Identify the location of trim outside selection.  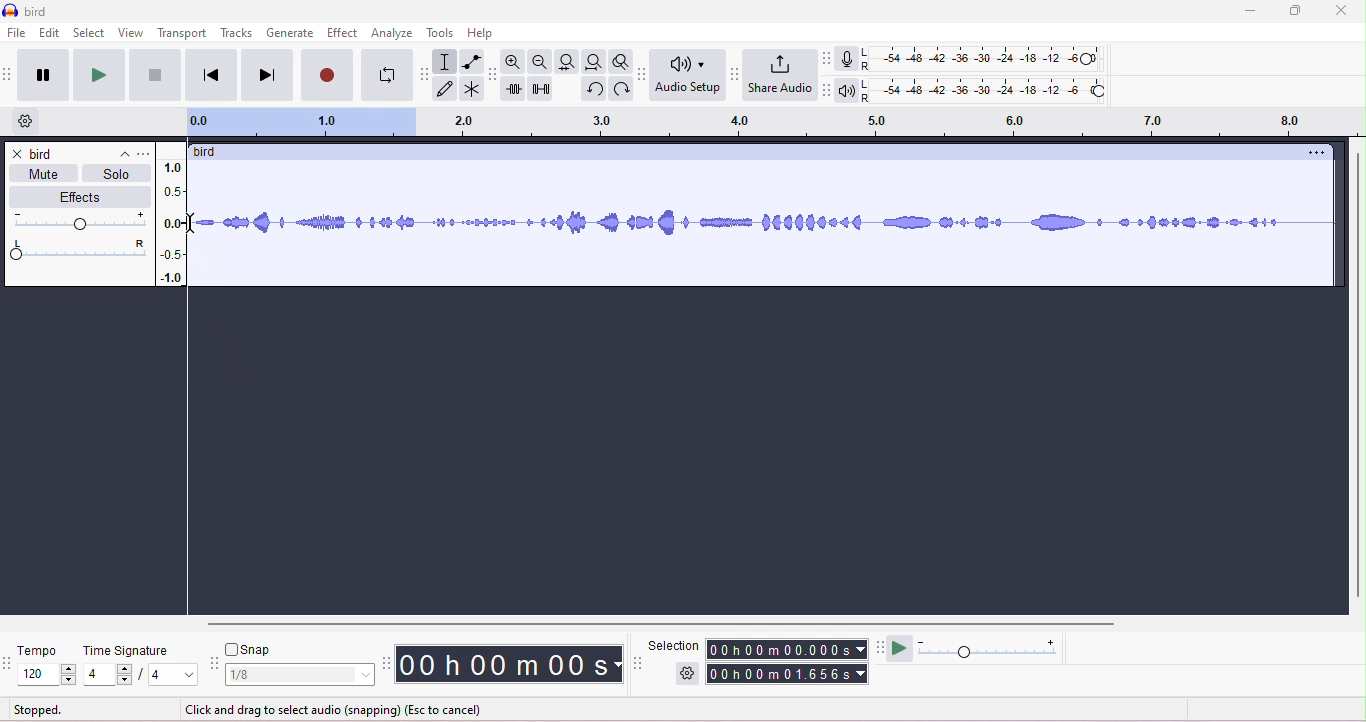
(517, 89).